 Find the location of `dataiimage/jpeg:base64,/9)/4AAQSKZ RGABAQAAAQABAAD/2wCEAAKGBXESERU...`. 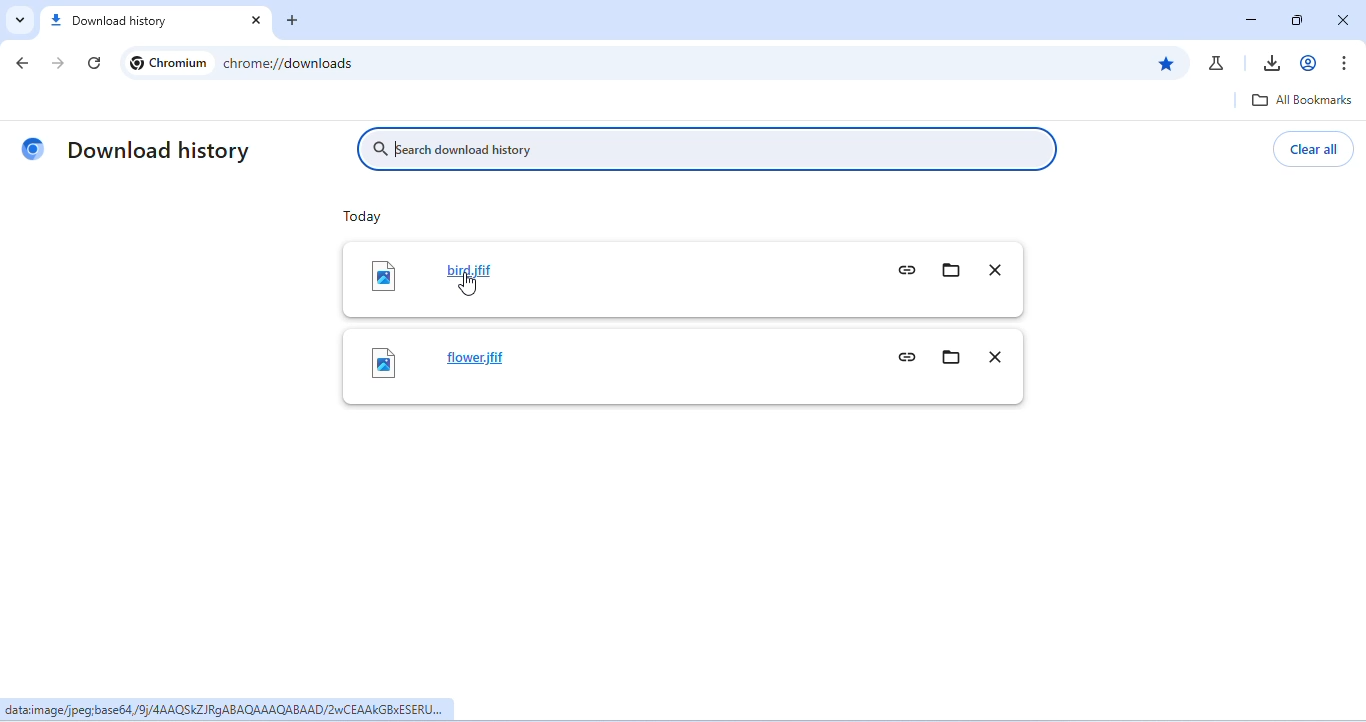

dataiimage/jpeg:base64,/9)/4AAQSKZ RGABAQAAAQABAAD/2wCEAAKGBXESERU... is located at coordinates (231, 711).